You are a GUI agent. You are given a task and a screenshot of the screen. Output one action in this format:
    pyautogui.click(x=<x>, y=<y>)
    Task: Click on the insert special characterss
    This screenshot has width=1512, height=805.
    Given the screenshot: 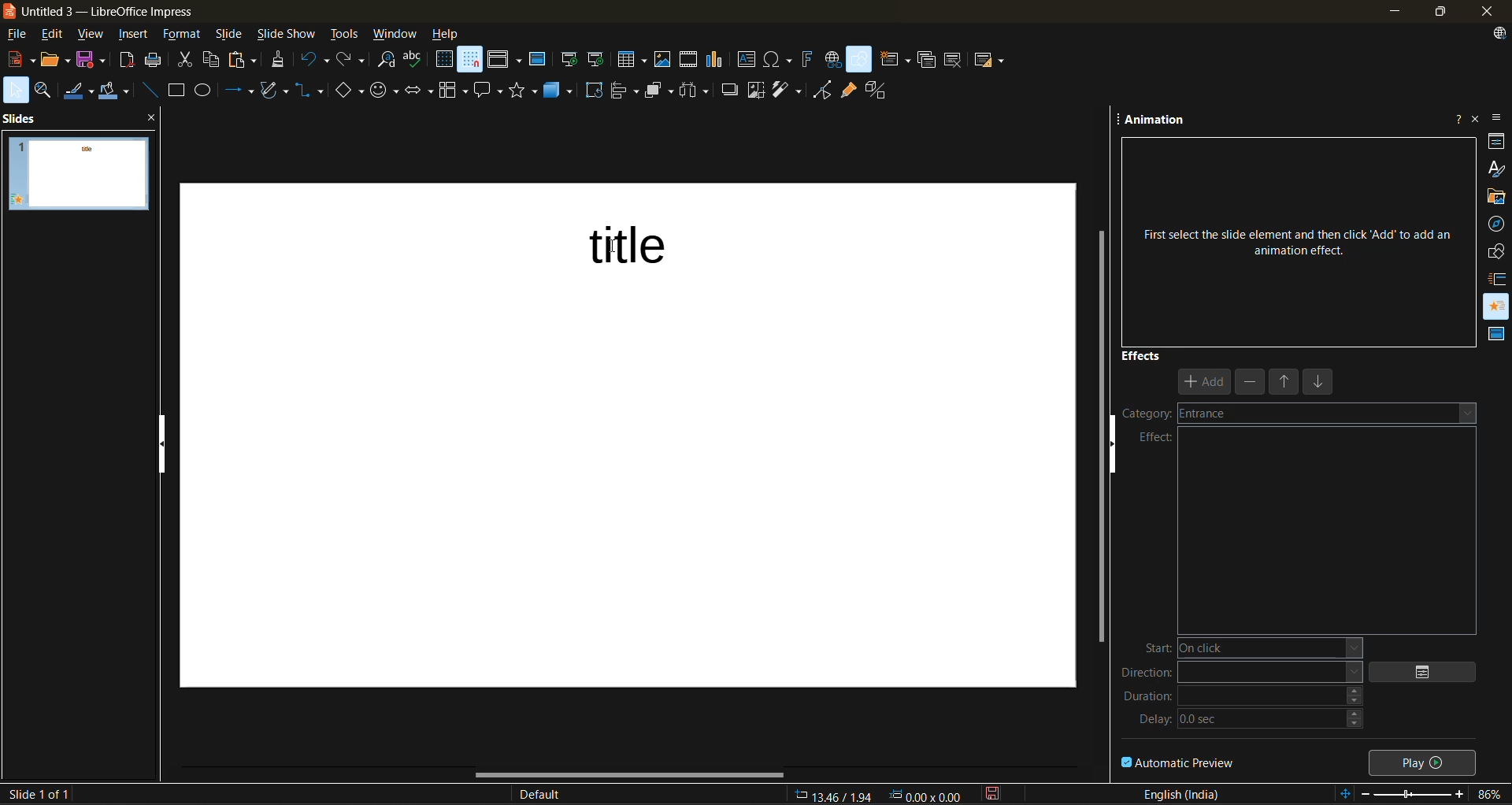 What is the action you would take?
    pyautogui.click(x=778, y=59)
    